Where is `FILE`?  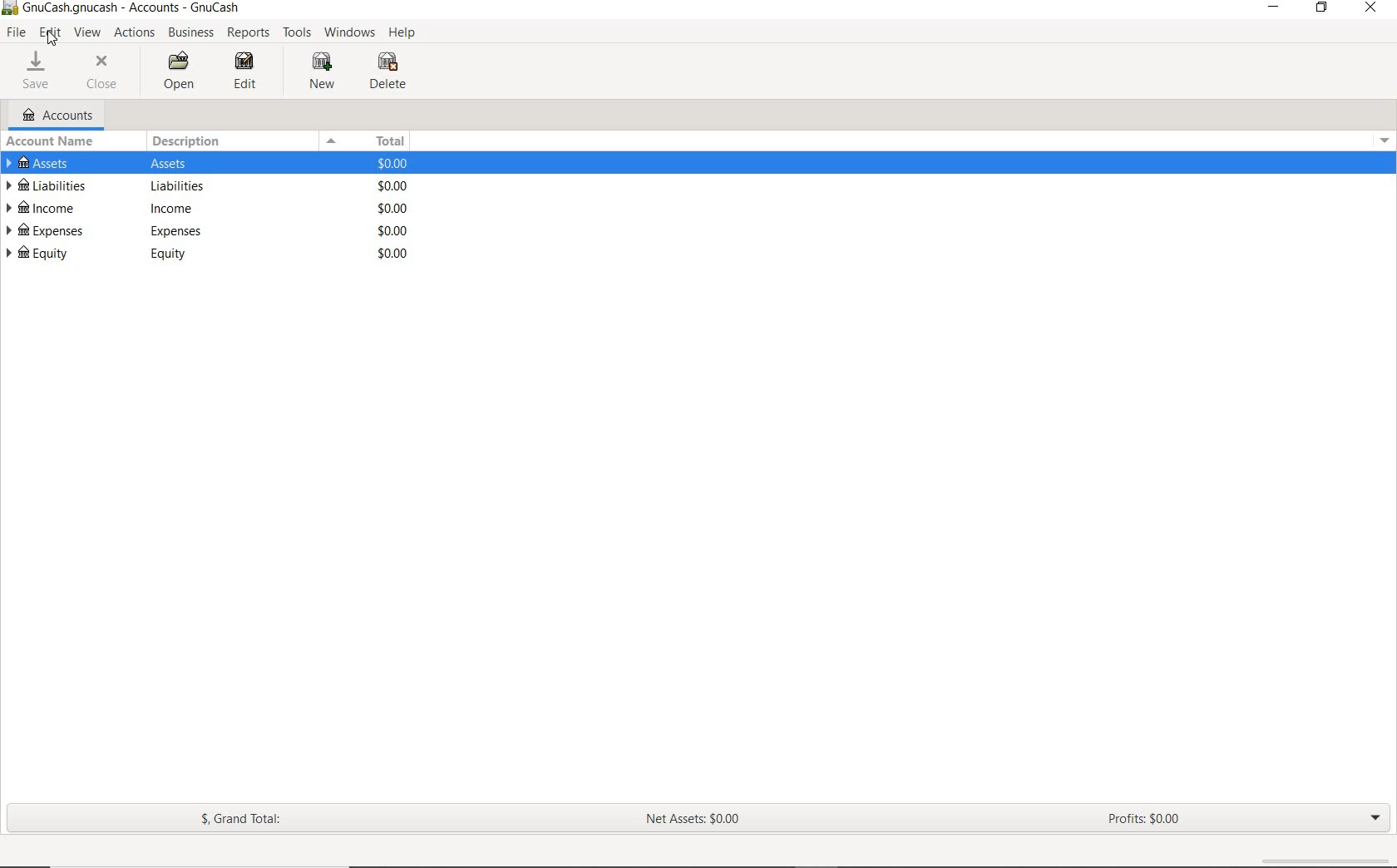
FILE is located at coordinates (15, 33).